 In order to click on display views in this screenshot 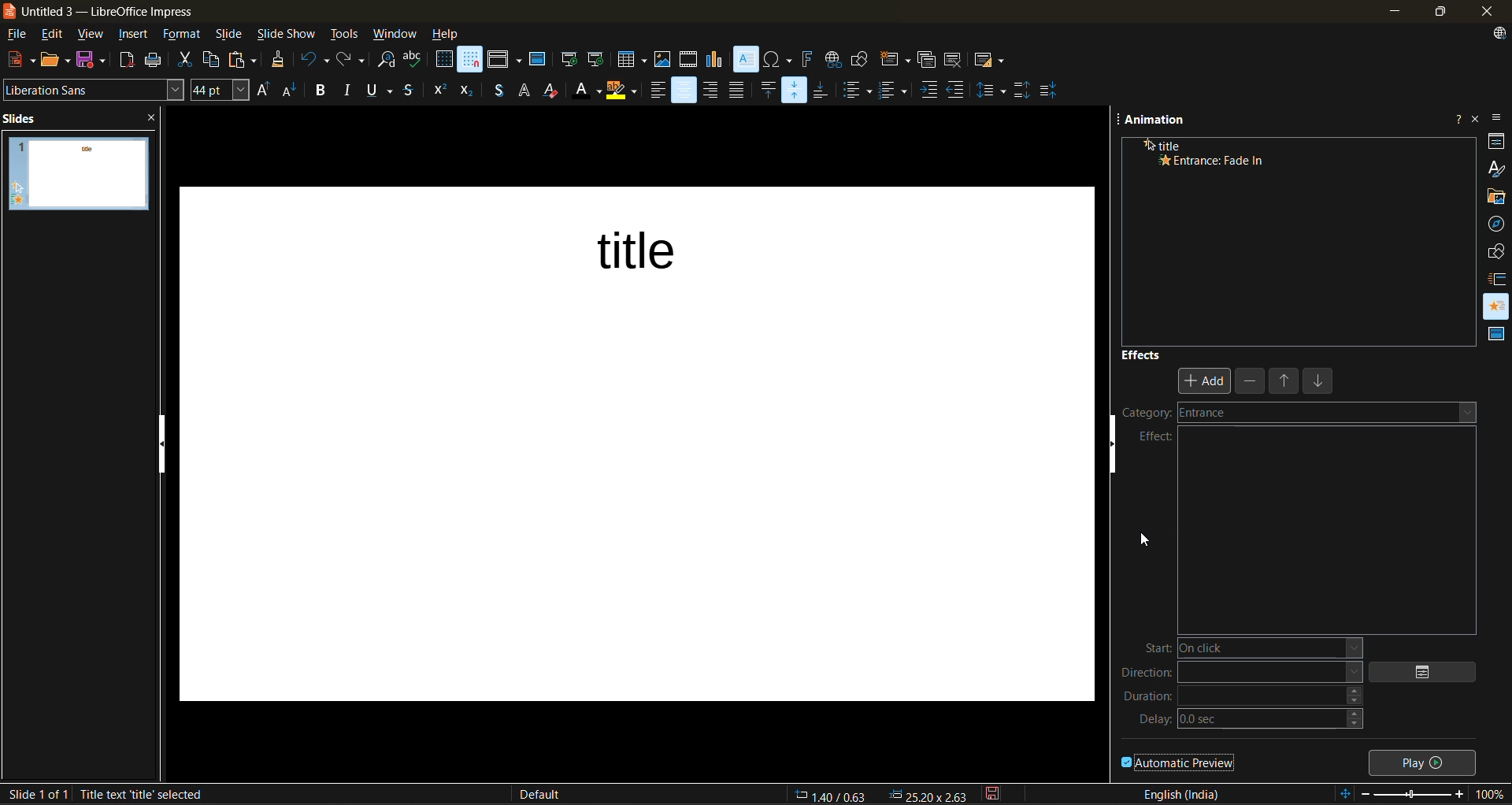, I will do `click(505, 59)`.